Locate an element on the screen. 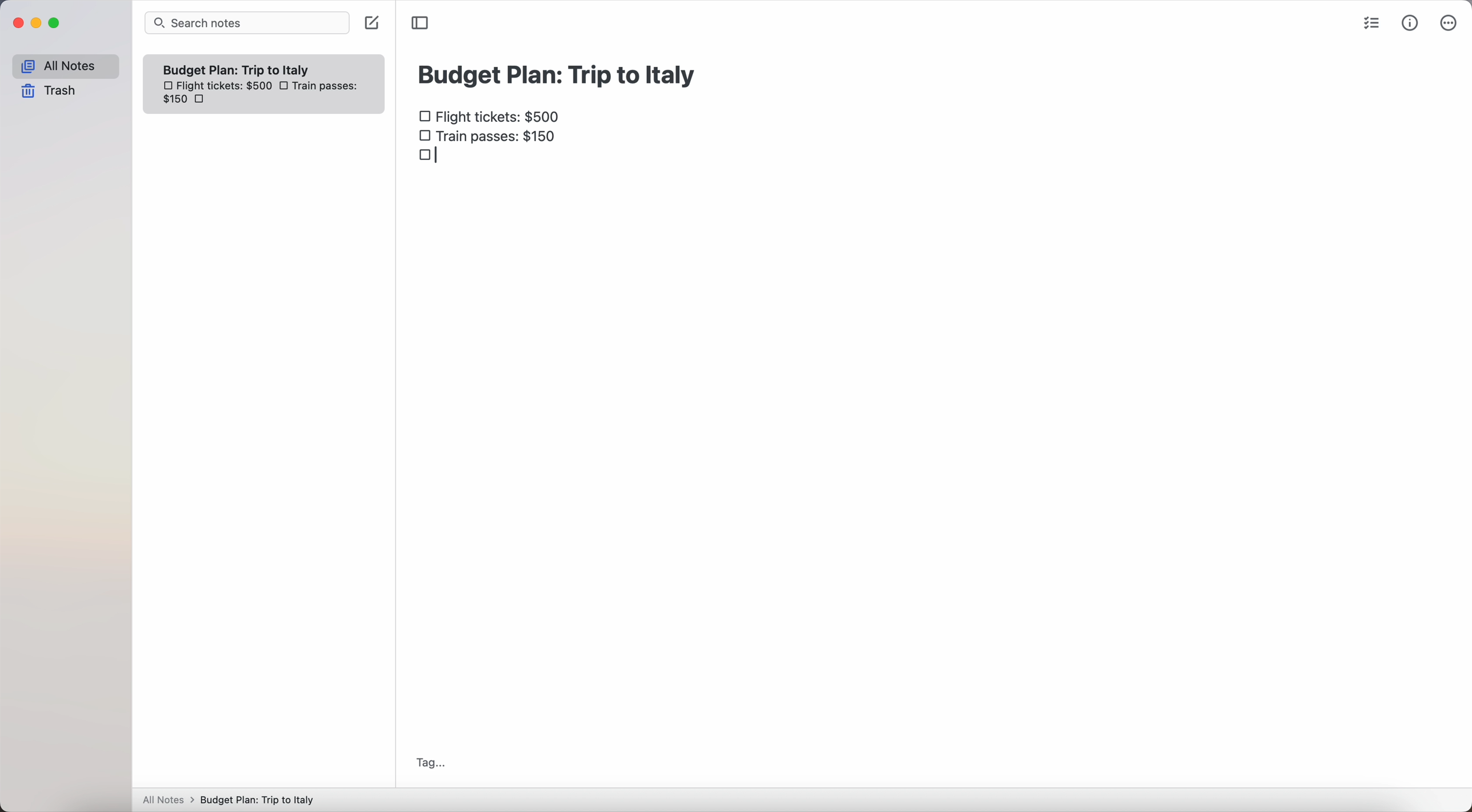  close Simplenote is located at coordinates (18, 23).